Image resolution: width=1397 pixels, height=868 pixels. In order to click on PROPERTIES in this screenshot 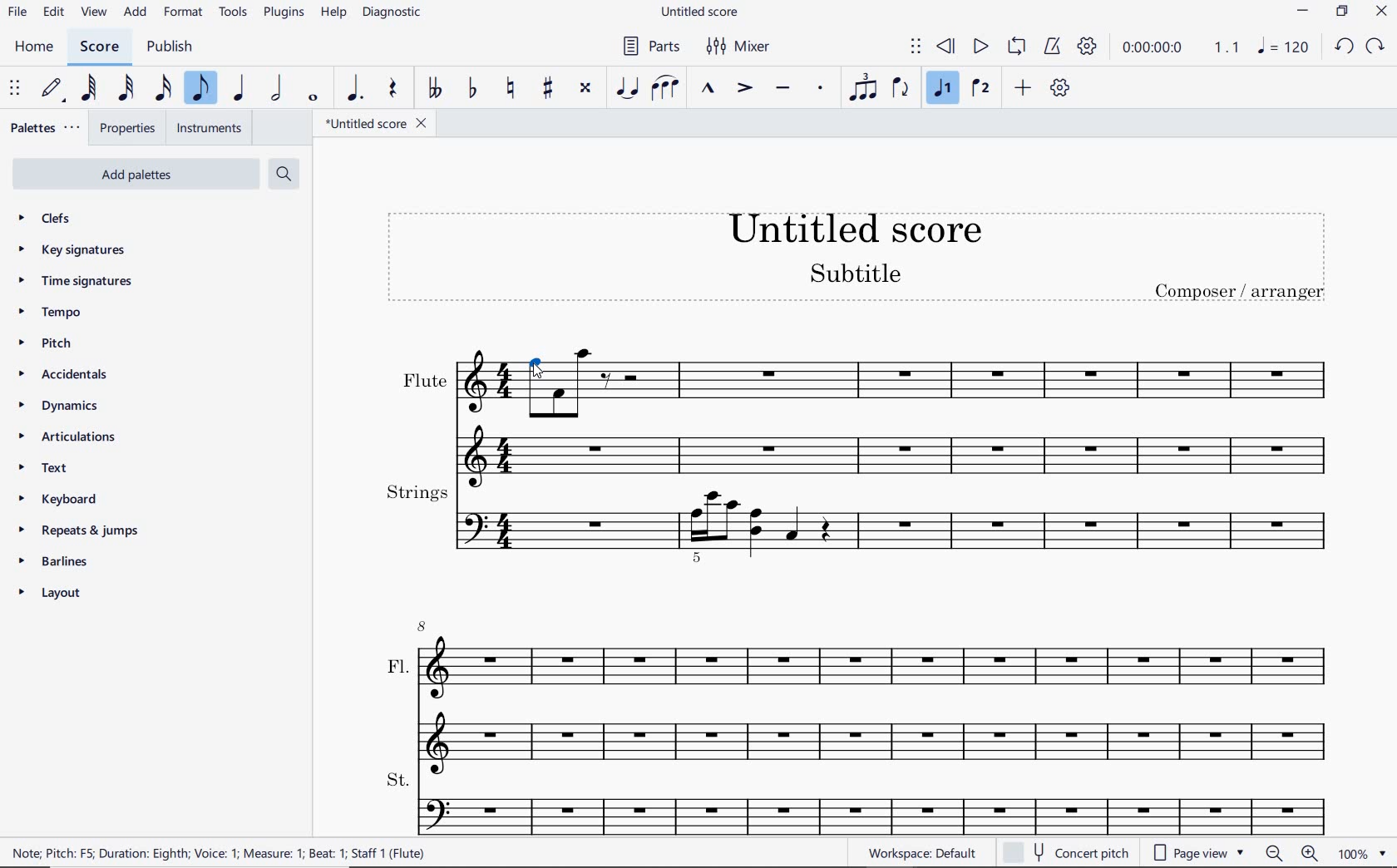, I will do `click(131, 126)`.